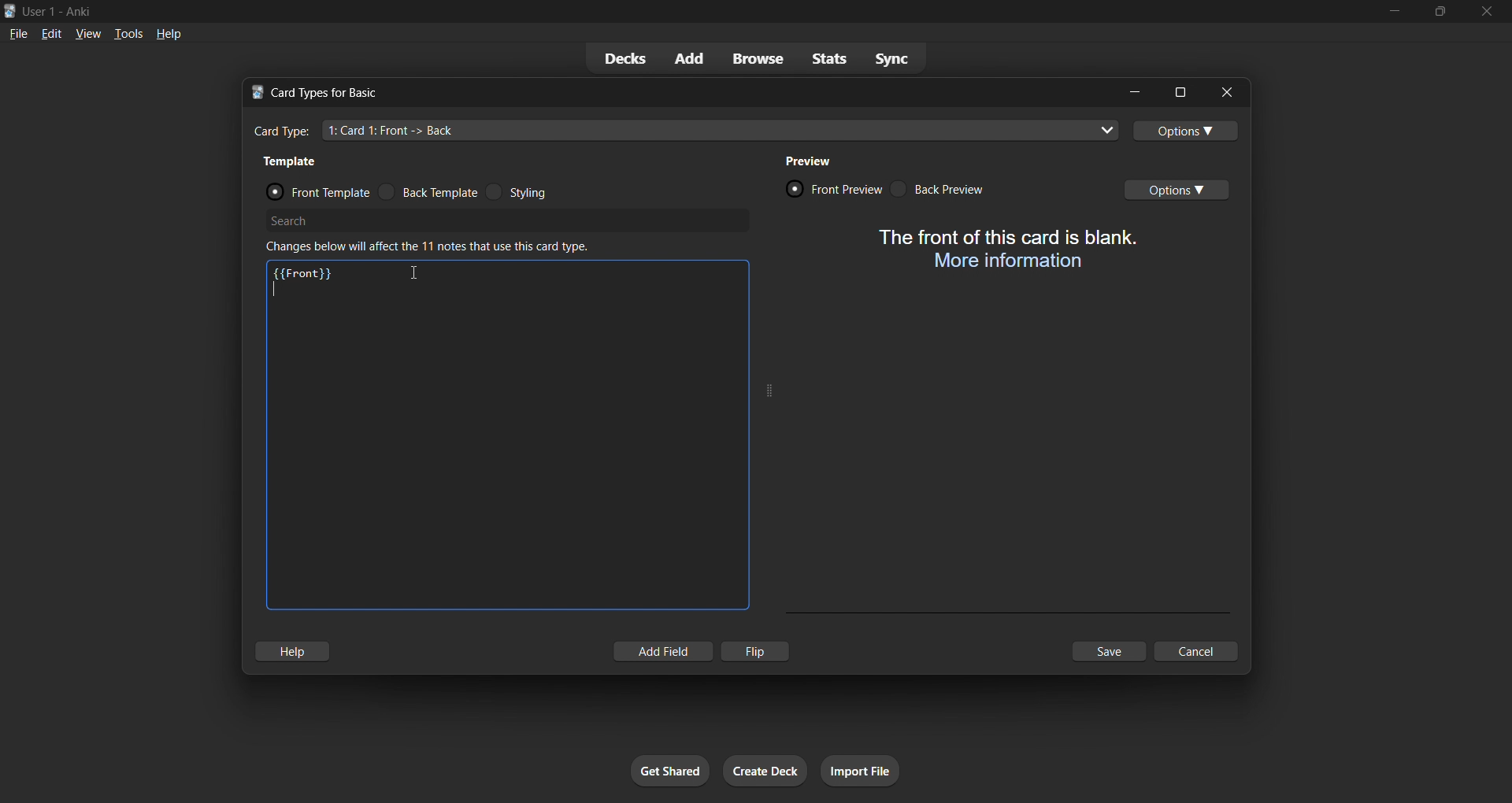 The width and height of the screenshot is (1512, 803). Describe the element at coordinates (502, 453) in the screenshot. I see `customization input field` at that location.